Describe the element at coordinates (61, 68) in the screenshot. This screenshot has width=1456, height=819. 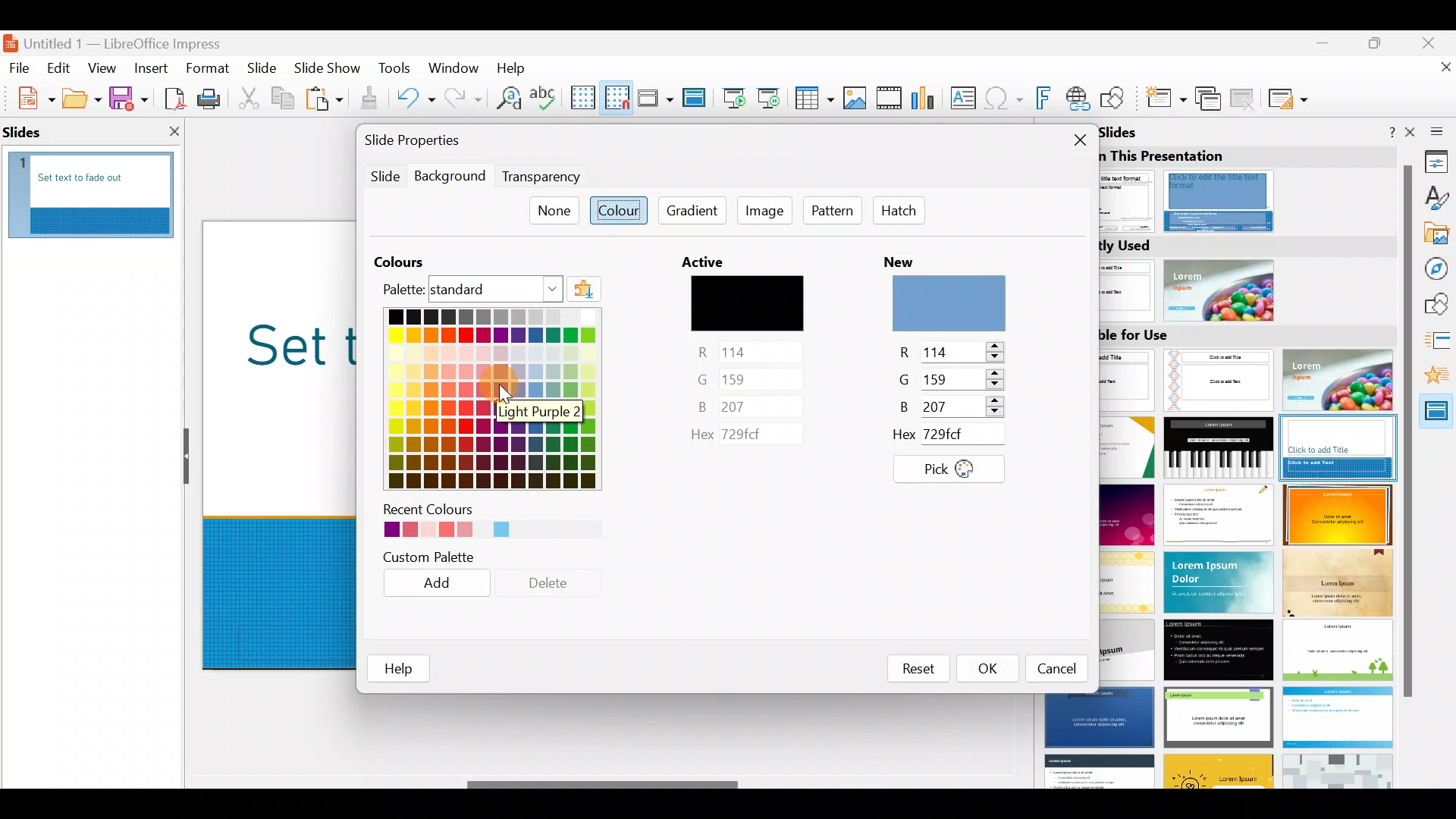
I see `Edit` at that location.